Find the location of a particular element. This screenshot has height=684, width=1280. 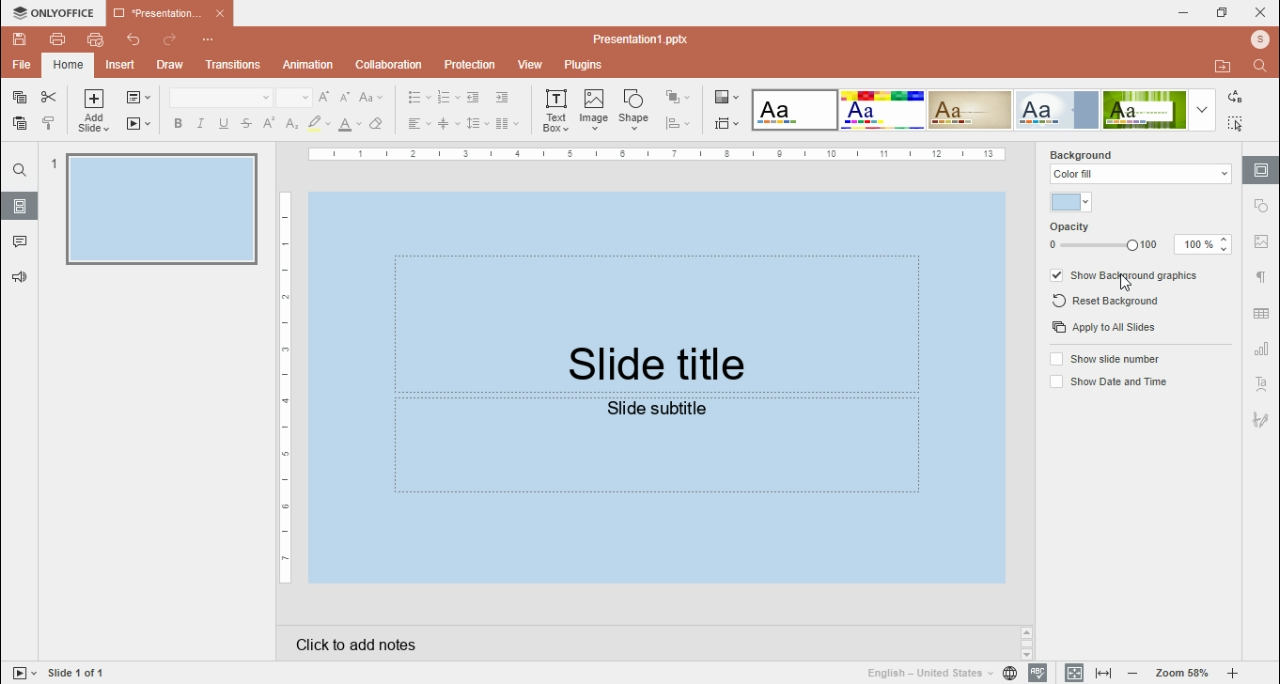

find is located at coordinates (1260, 66).